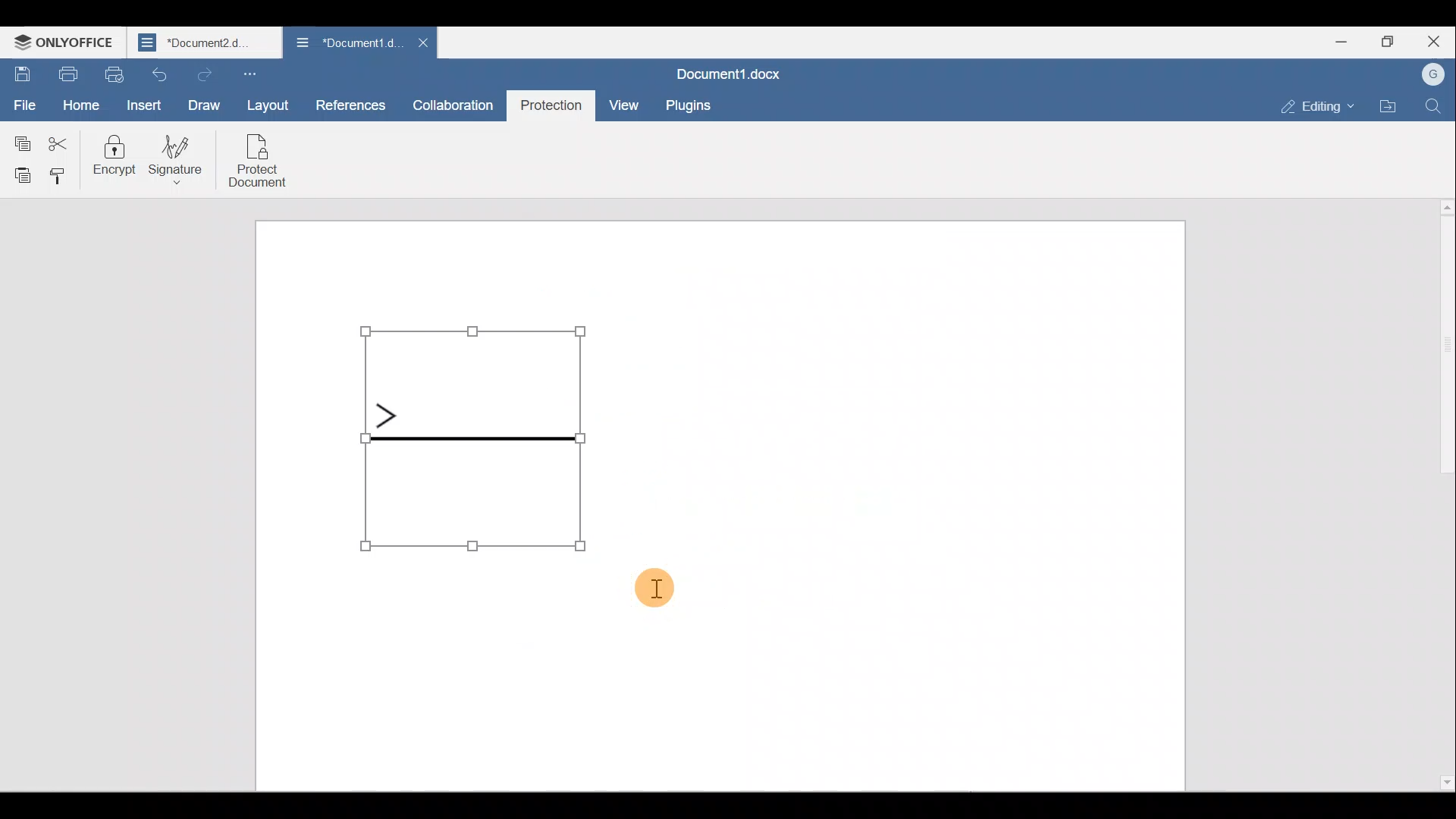 The height and width of the screenshot is (819, 1456). Describe the element at coordinates (1320, 106) in the screenshot. I see `Editing mode` at that location.